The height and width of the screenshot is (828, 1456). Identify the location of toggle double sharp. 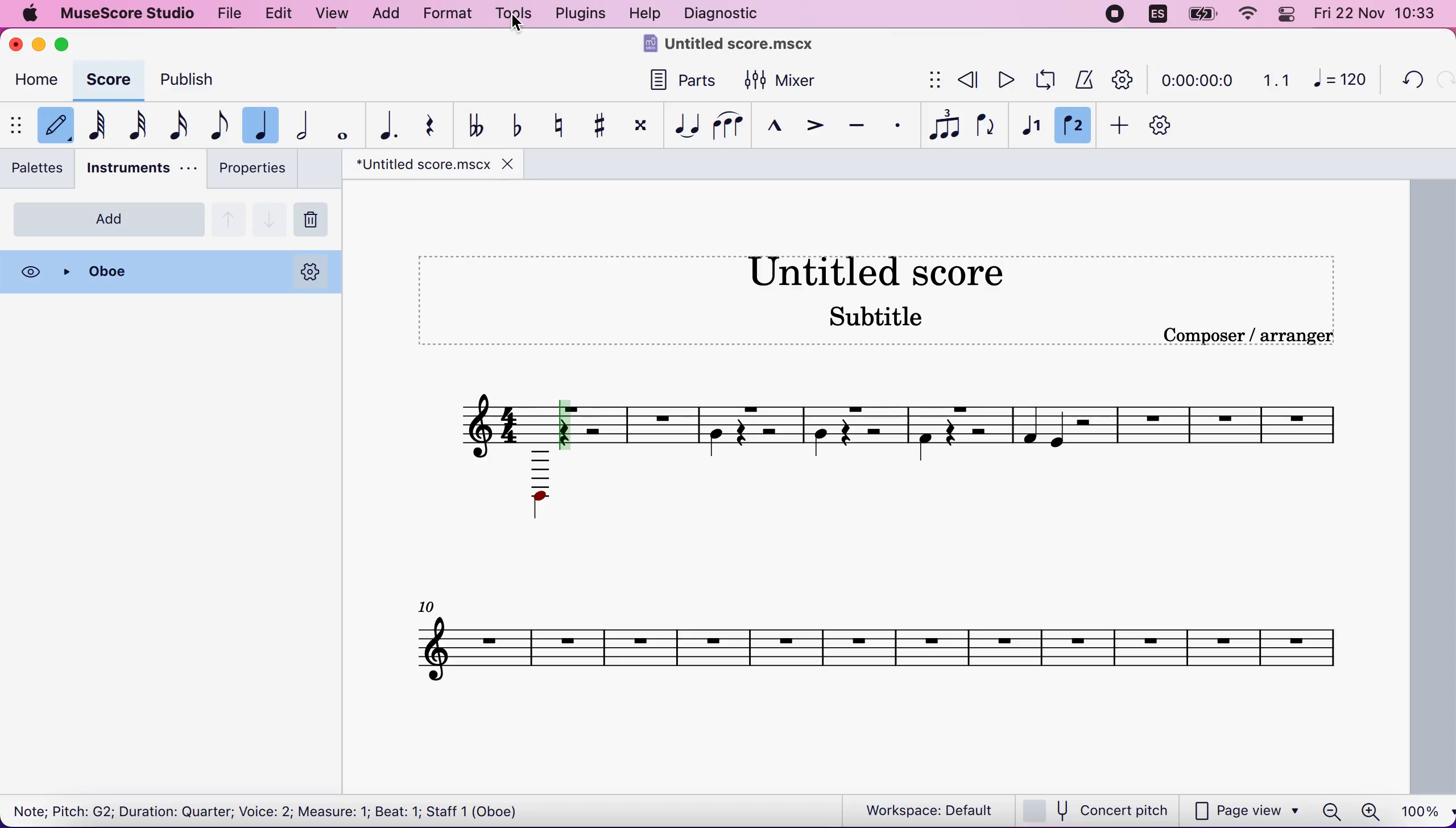
(645, 126).